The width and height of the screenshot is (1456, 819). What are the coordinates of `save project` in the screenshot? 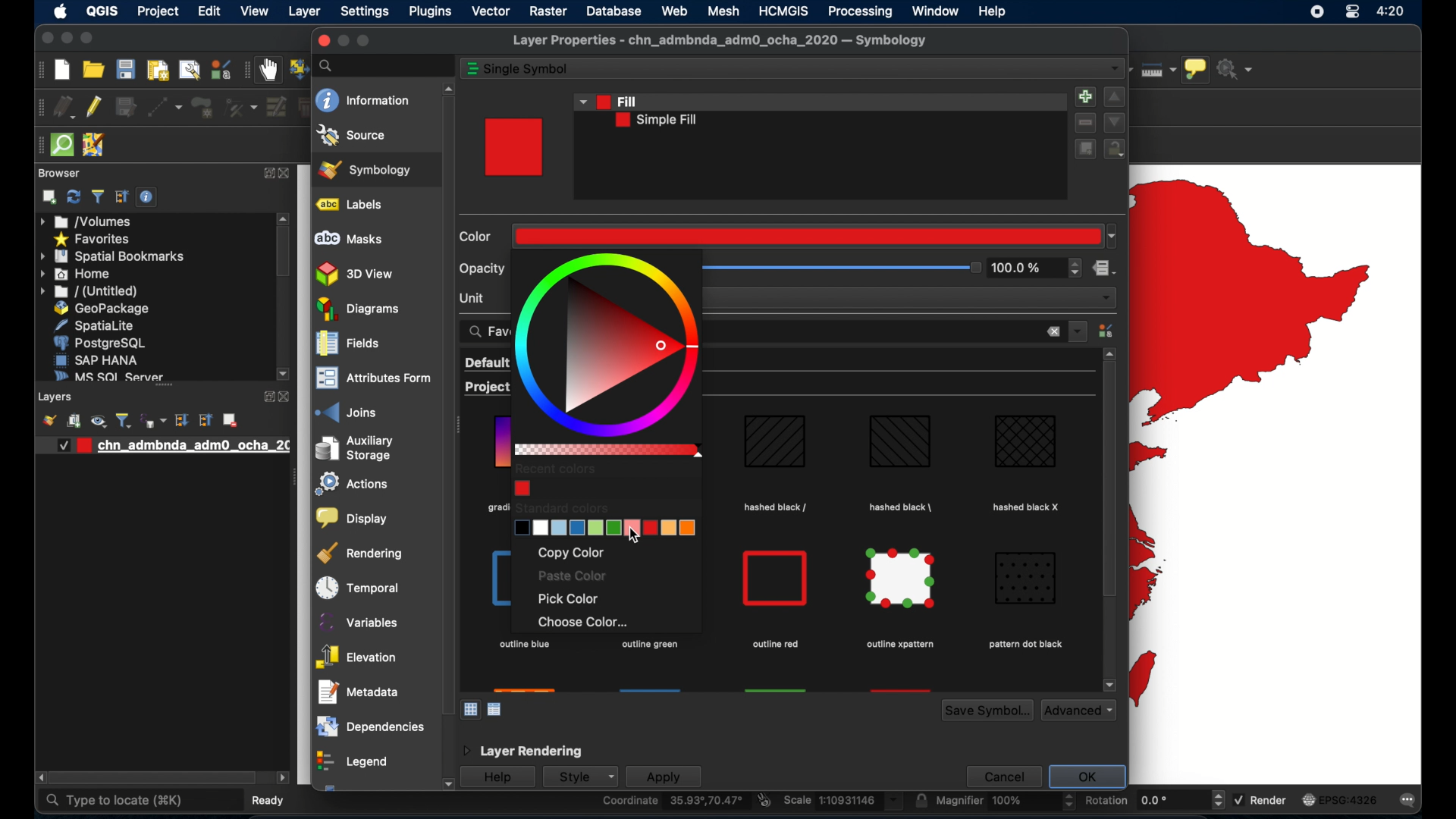 It's located at (124, 69).